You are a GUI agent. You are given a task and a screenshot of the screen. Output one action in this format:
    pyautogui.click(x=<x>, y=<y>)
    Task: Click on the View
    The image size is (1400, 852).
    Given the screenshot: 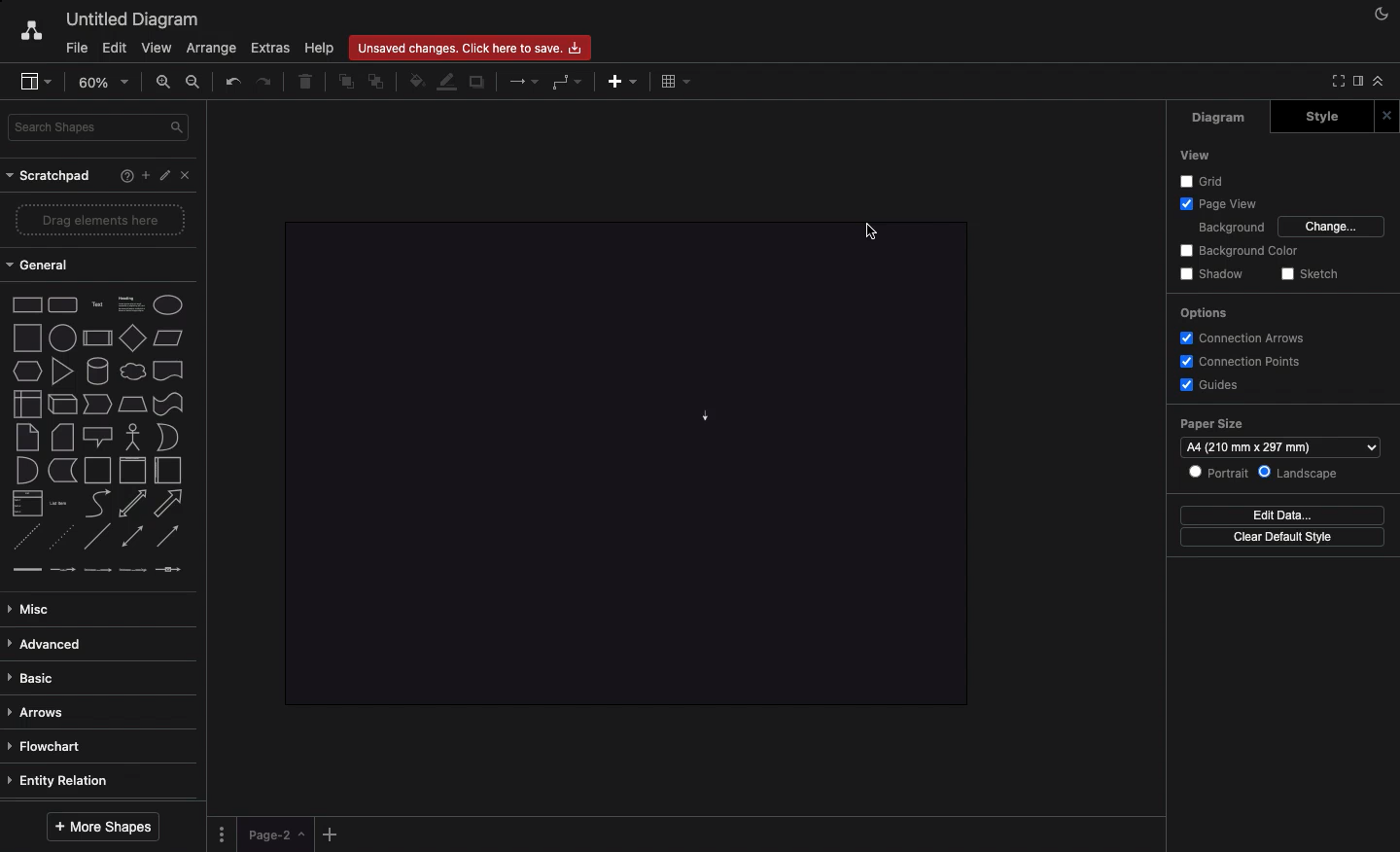 What is the action you would take?
    pyautogui.click(x=157, y=47)
    